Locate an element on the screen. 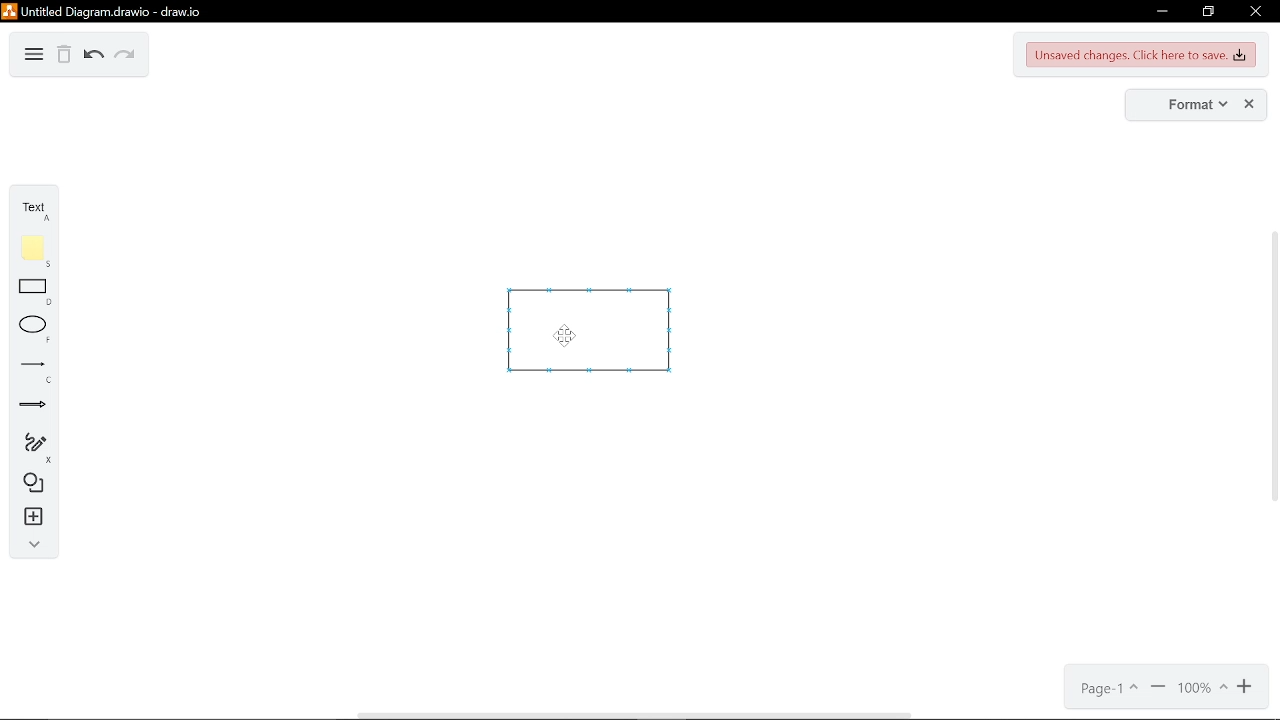  diagram is located at coordinates (34, 56).